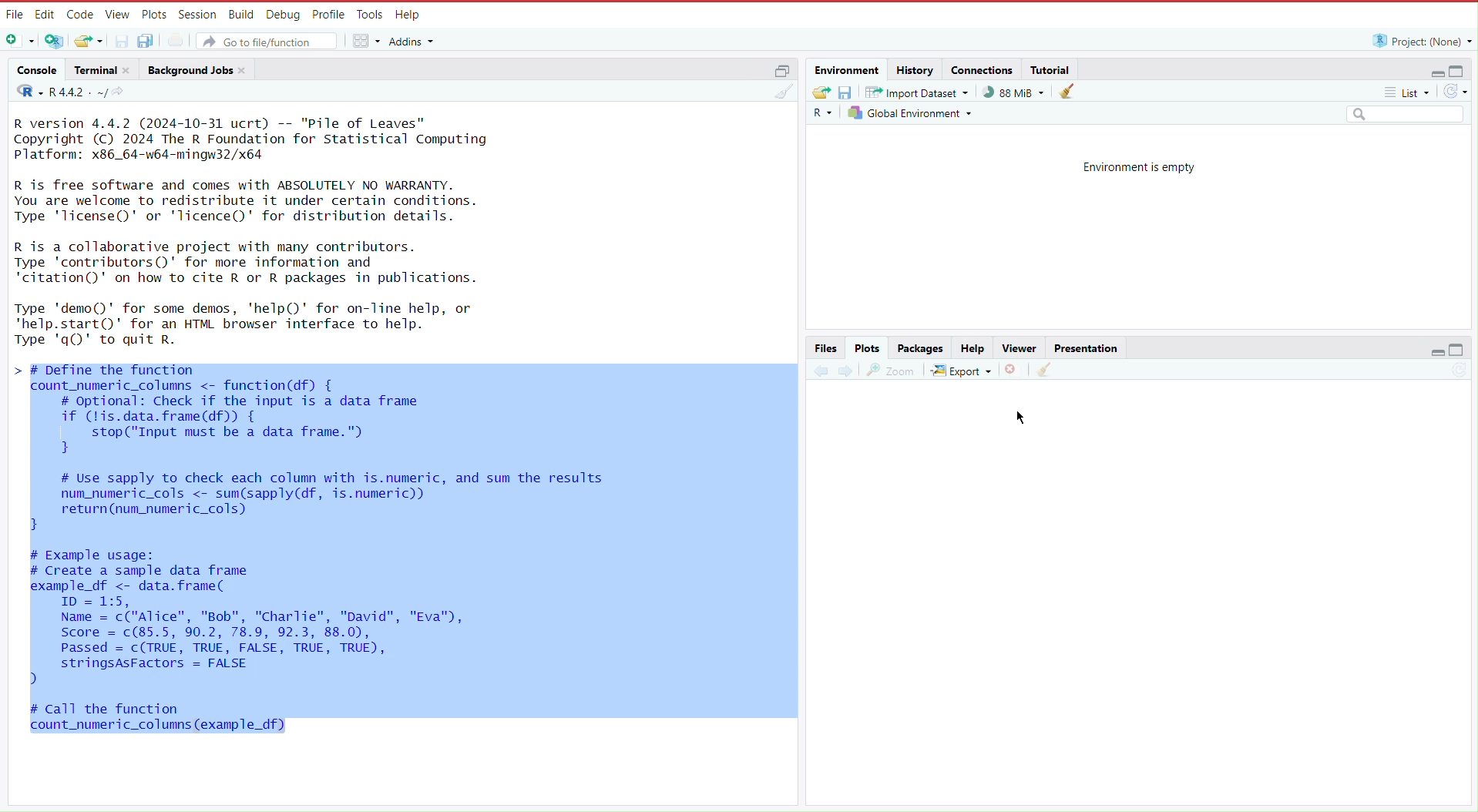  Describe the element at coordinates (1026, 415) in the screenshot. I see `Cursor` at that location.